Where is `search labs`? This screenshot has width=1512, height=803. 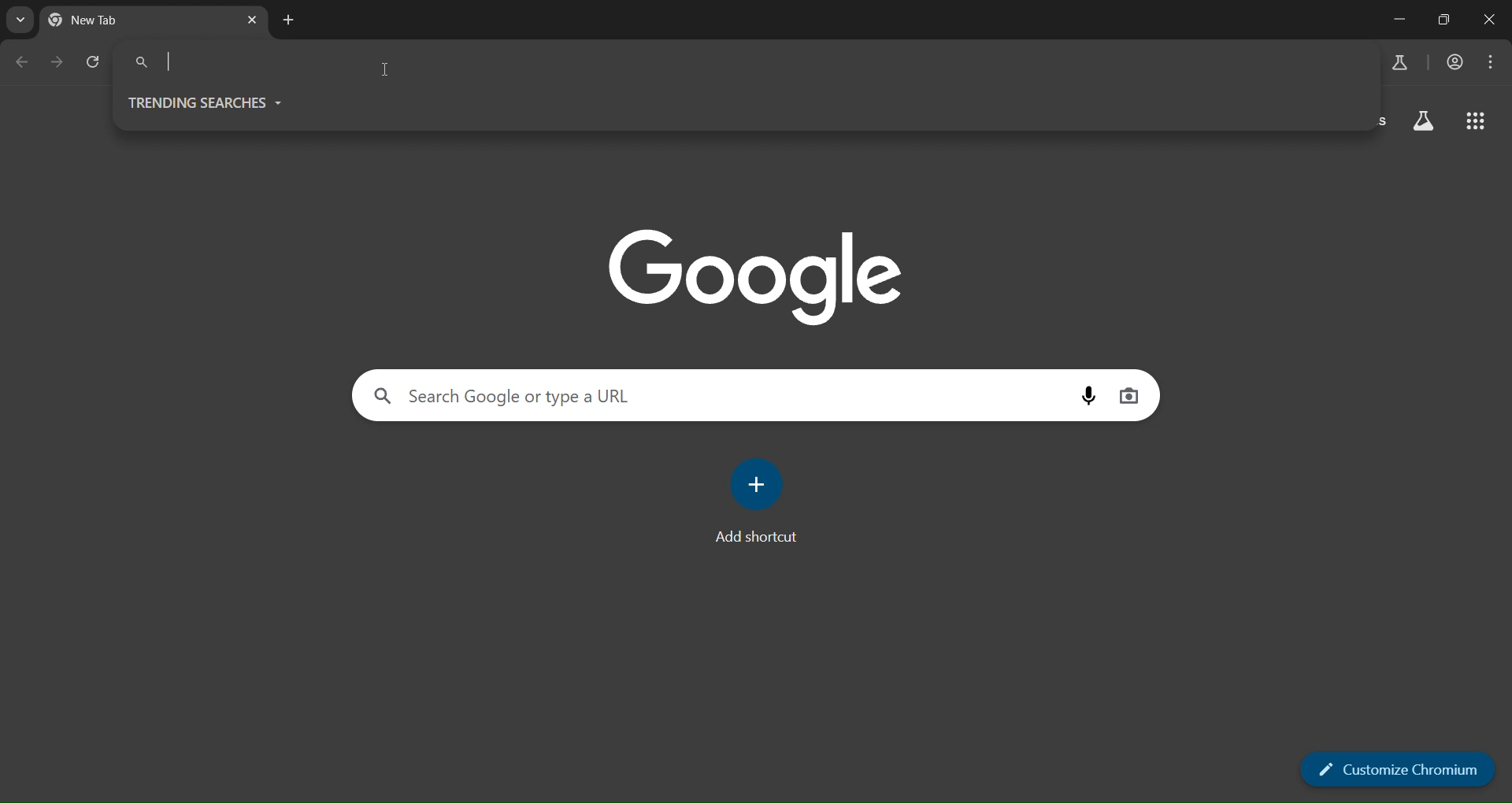
search labs is located at coordinates (1424, 121).